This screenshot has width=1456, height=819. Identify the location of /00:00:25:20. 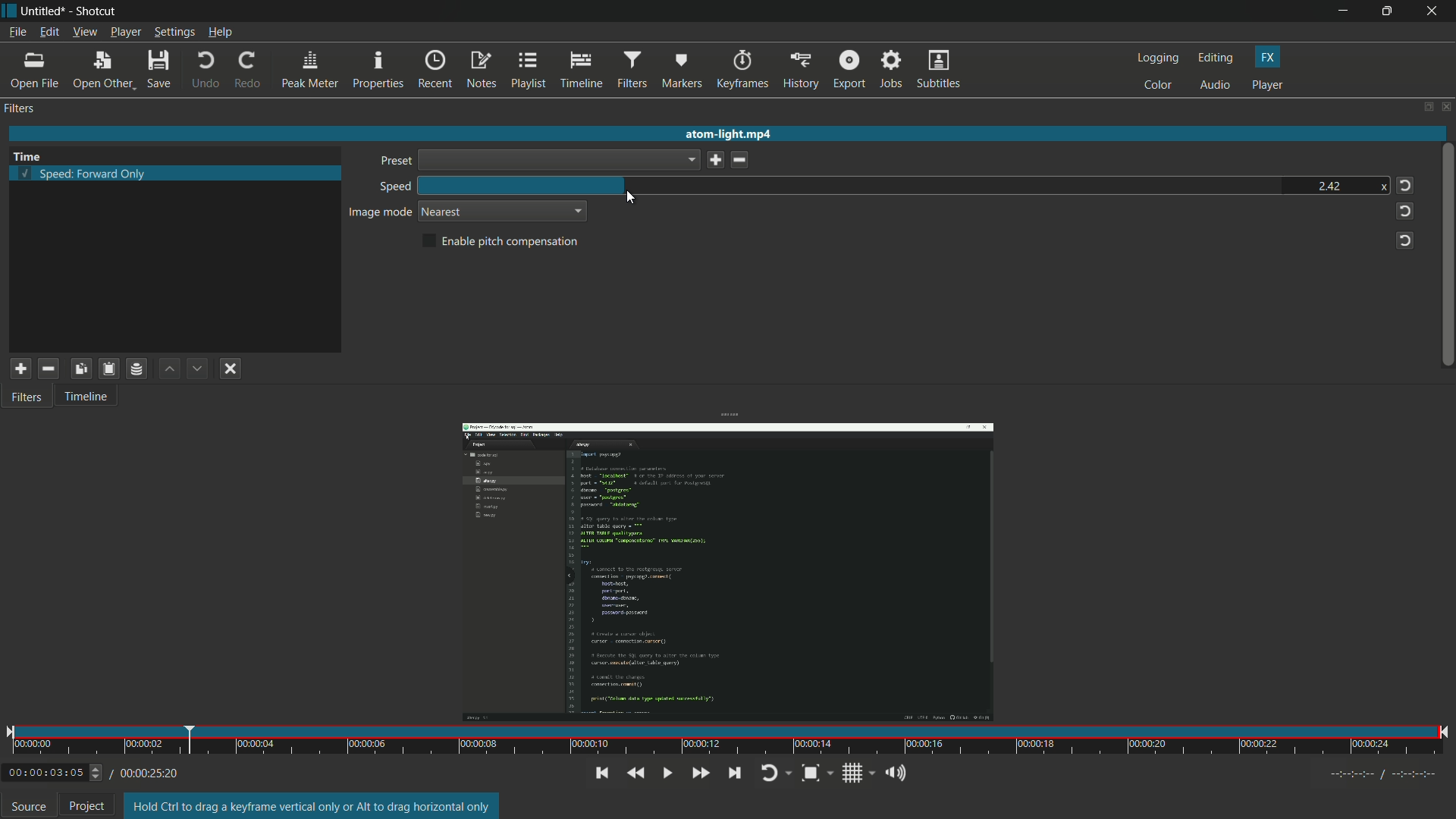
(149, 773).